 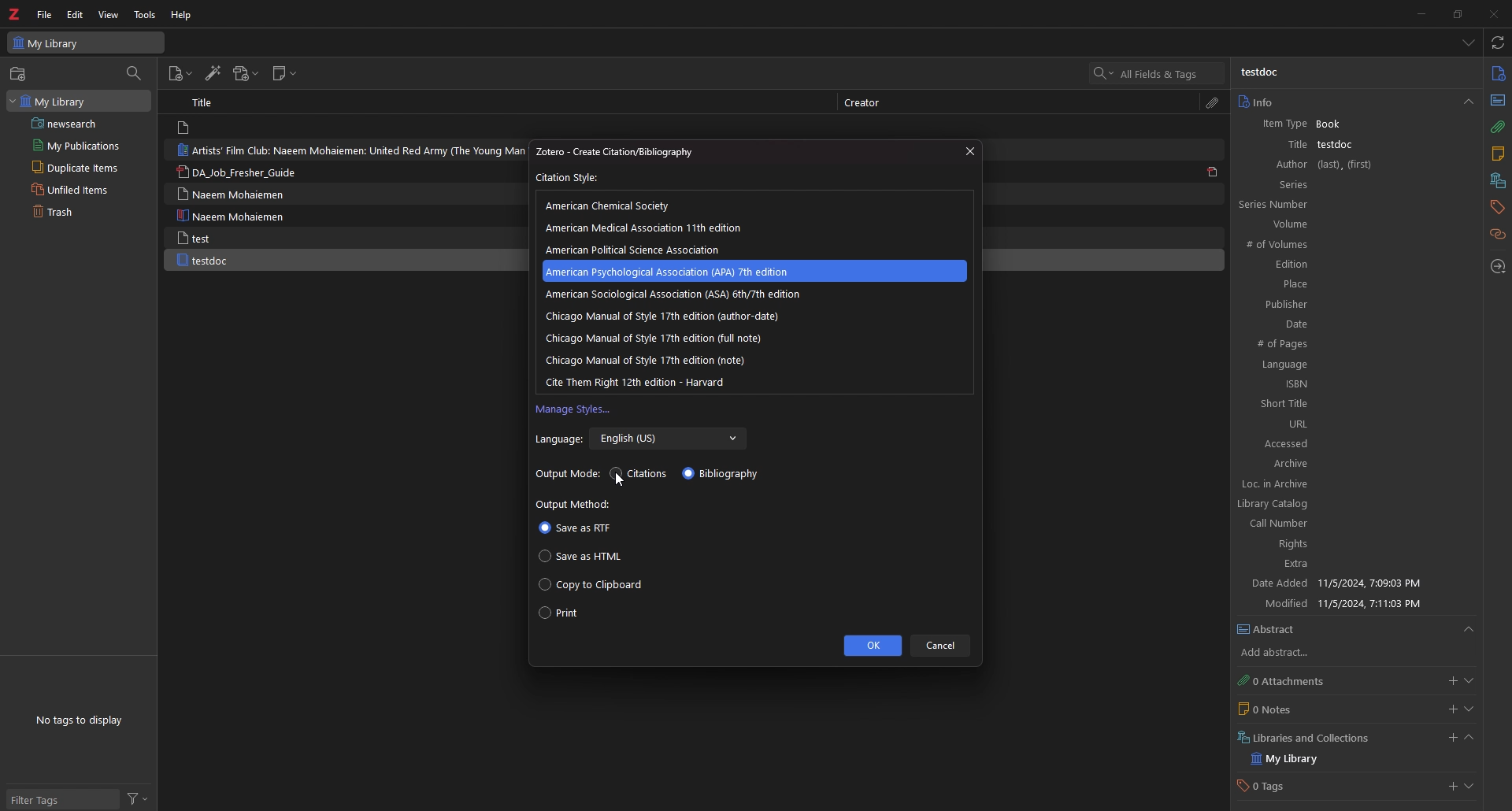 What do you see at coordinates (1499, 235) in the screenshot?
I see `related` at bounding box center [1499, 235].